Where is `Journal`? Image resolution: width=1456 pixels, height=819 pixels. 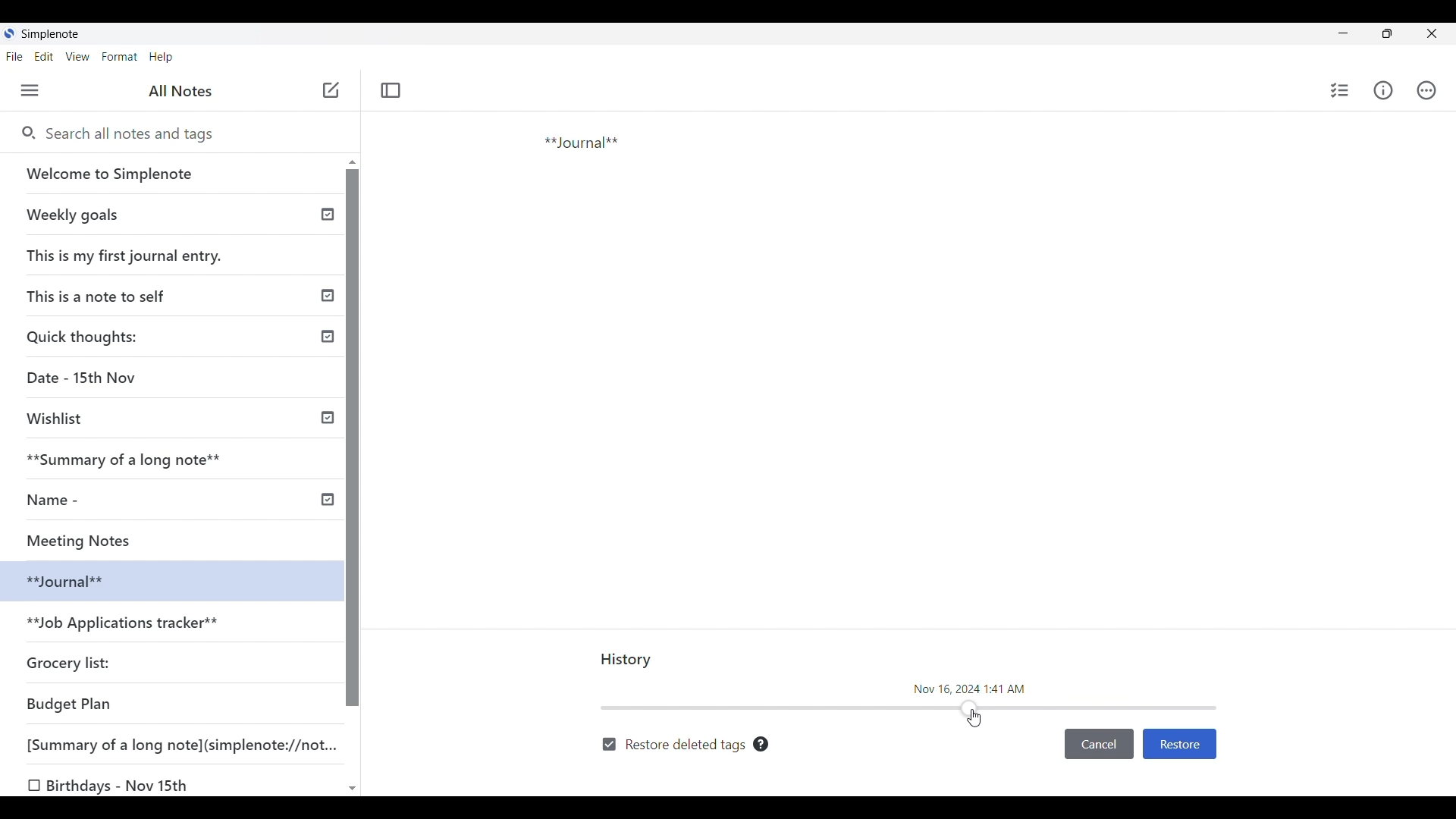
Journal is located at coordinates (644, 199).